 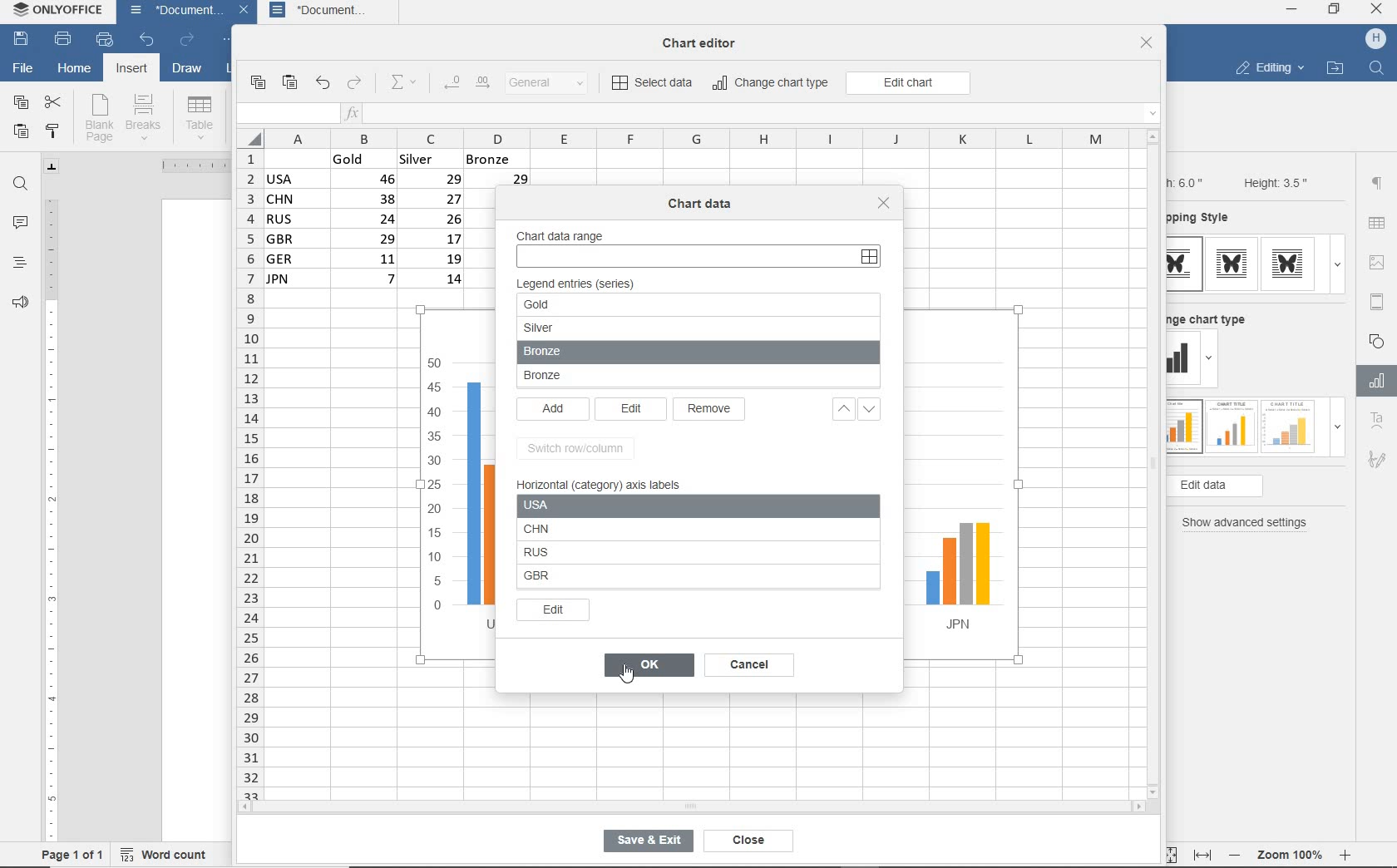 I want to click on type 1 , so click(x=1183, y=427).